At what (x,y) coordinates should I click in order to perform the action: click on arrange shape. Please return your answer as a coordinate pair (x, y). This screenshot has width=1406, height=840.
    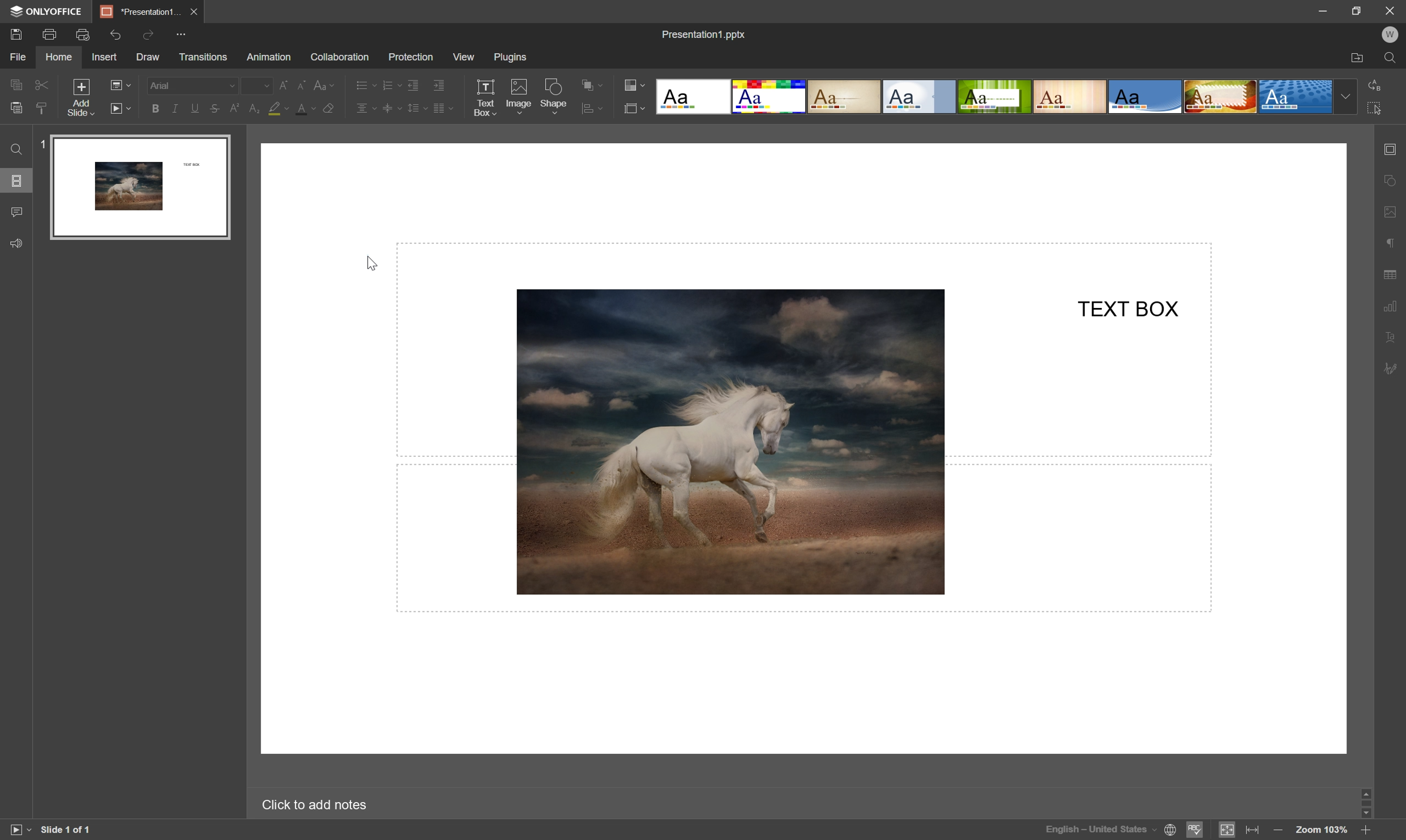
    Looking at the image, I should click on (592, 109).